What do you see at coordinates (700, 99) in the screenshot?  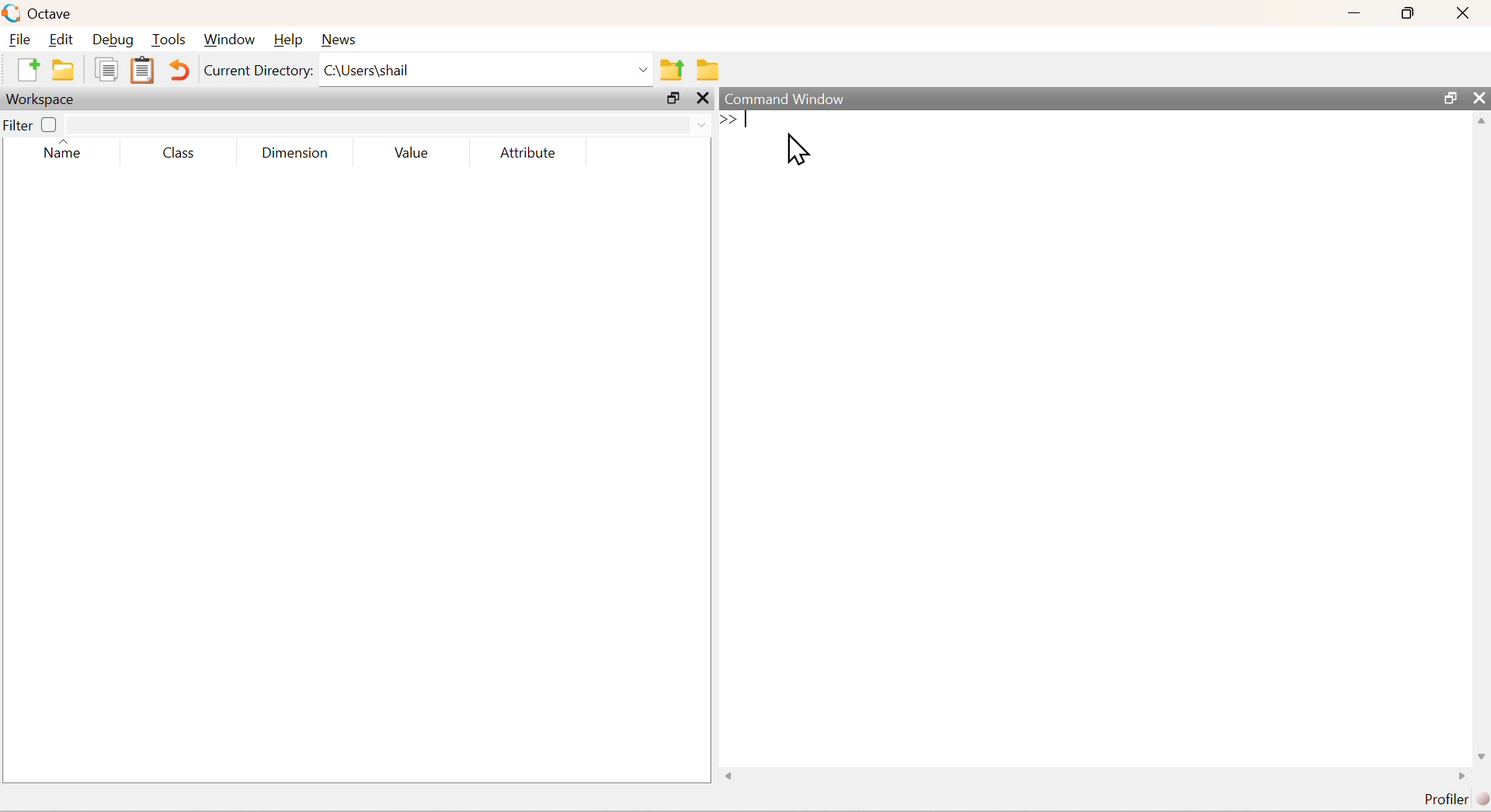 I see `Close` at bounding box center [700, 99].